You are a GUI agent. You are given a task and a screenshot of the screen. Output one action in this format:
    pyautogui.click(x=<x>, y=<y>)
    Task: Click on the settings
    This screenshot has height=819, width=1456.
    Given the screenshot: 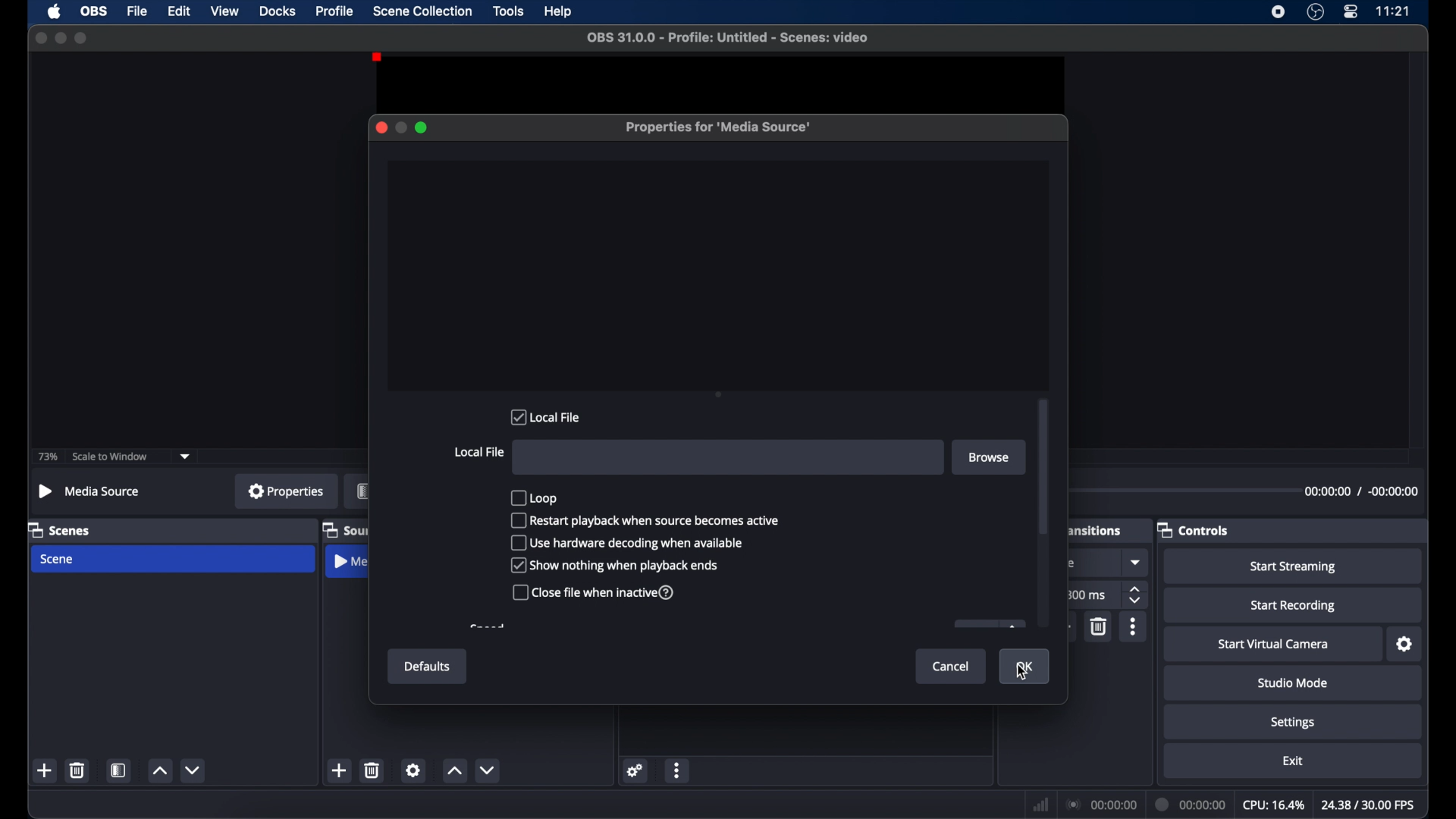 What is the action you would take?
    pyautogui.click(x=414, y=770)
    